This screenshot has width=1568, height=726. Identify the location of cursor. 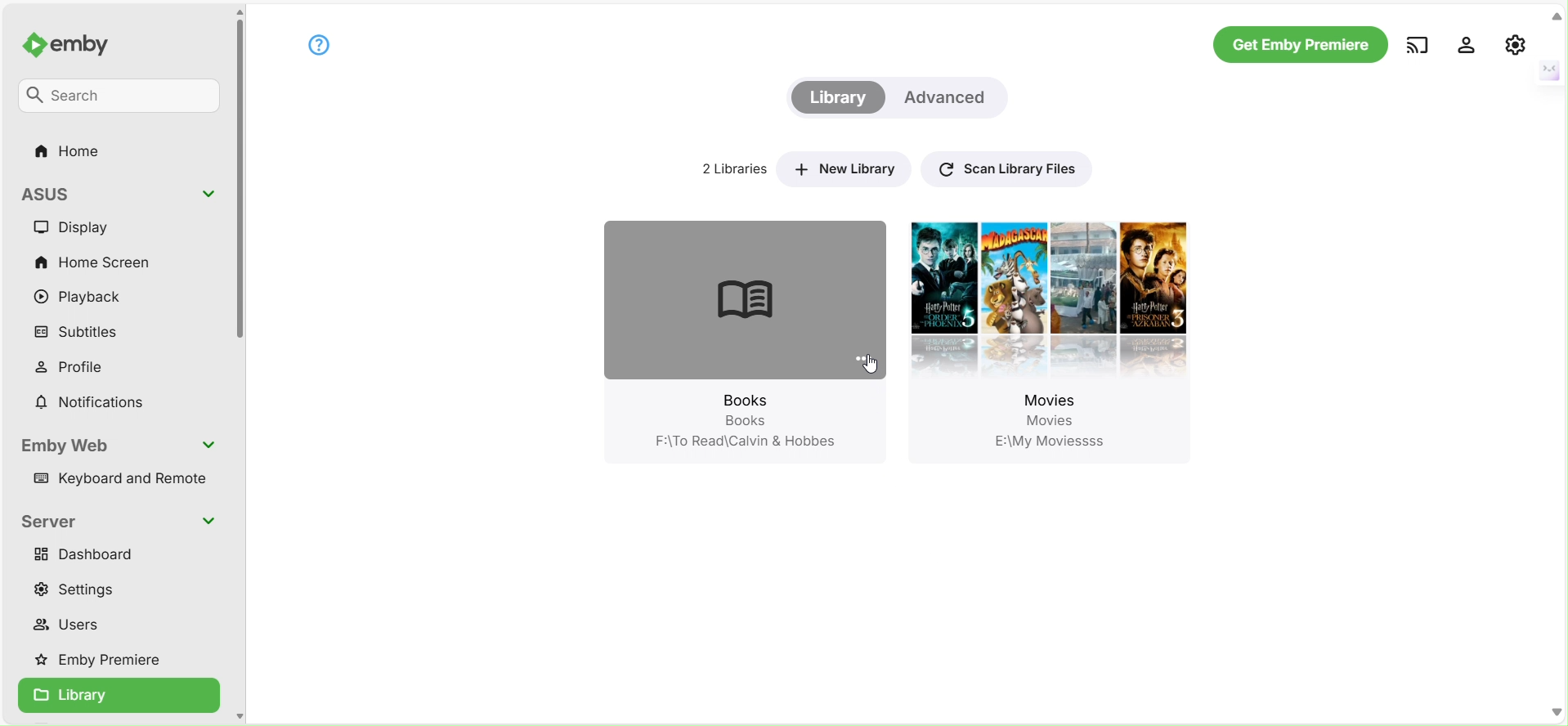
(870, 368).